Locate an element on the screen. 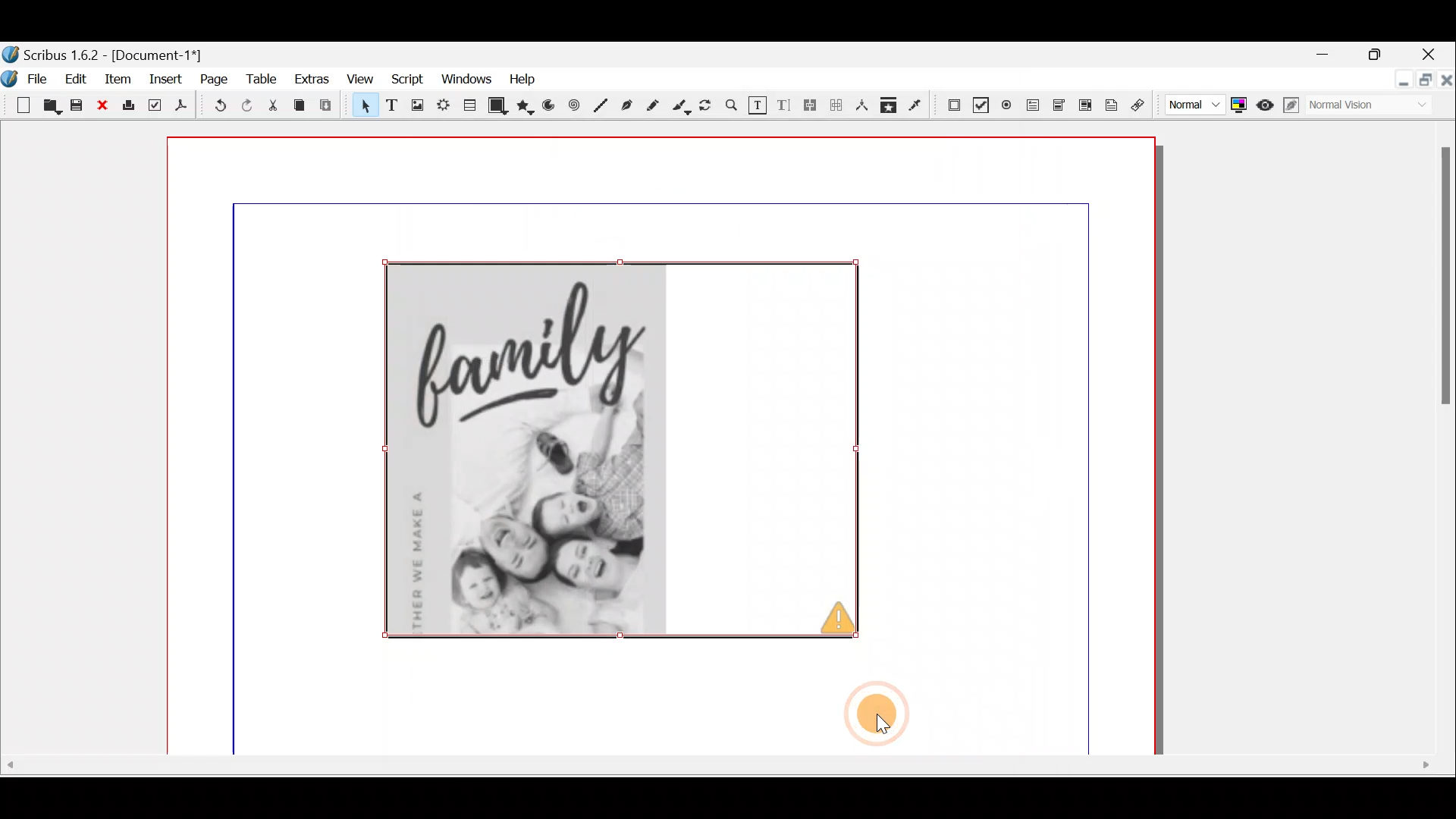  Arc is located at coordinates (550, 107).